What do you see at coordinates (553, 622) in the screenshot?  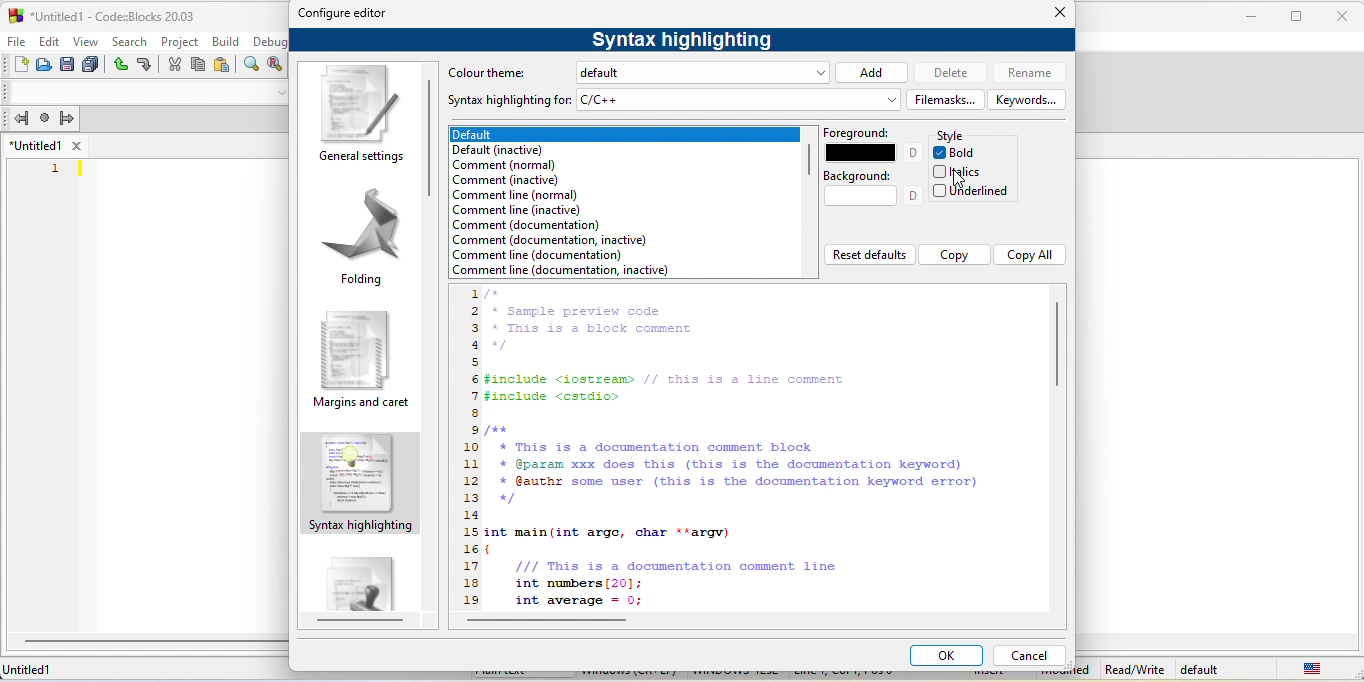 I see `horizontal scroll bar` at bounding box center [553, 622].